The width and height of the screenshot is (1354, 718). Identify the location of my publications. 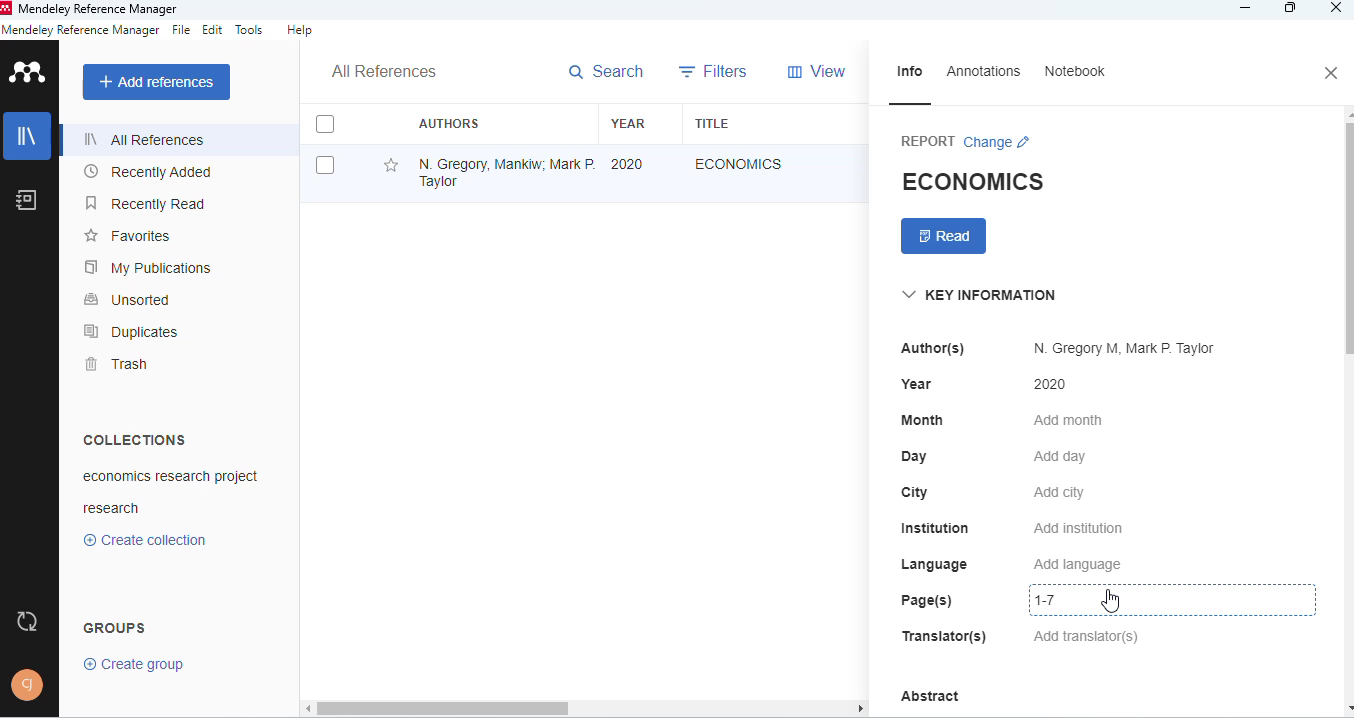
(147, 267).